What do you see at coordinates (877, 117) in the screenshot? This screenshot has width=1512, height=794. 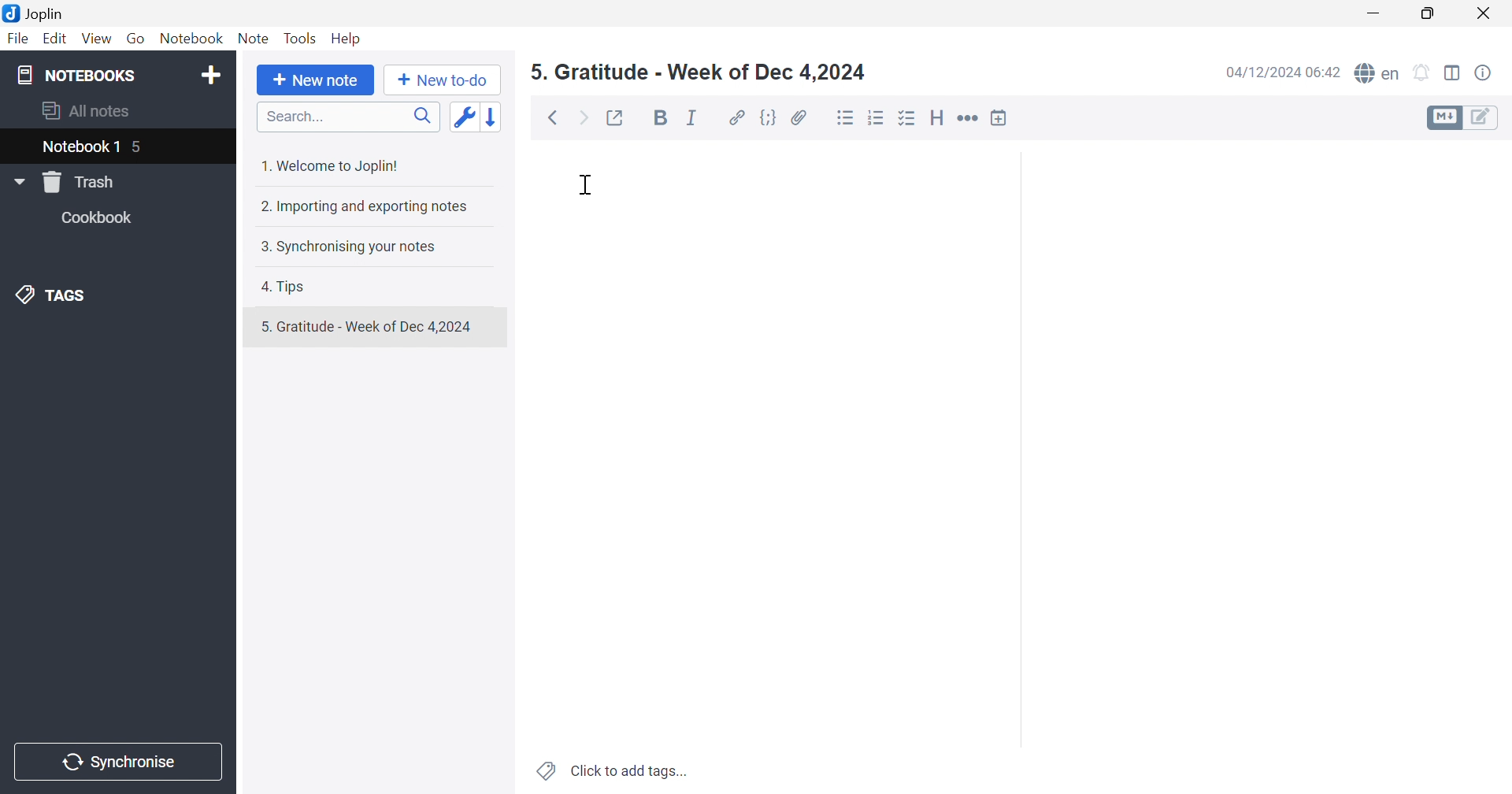 I see `Numbered list` at bounding box center [877, 117].